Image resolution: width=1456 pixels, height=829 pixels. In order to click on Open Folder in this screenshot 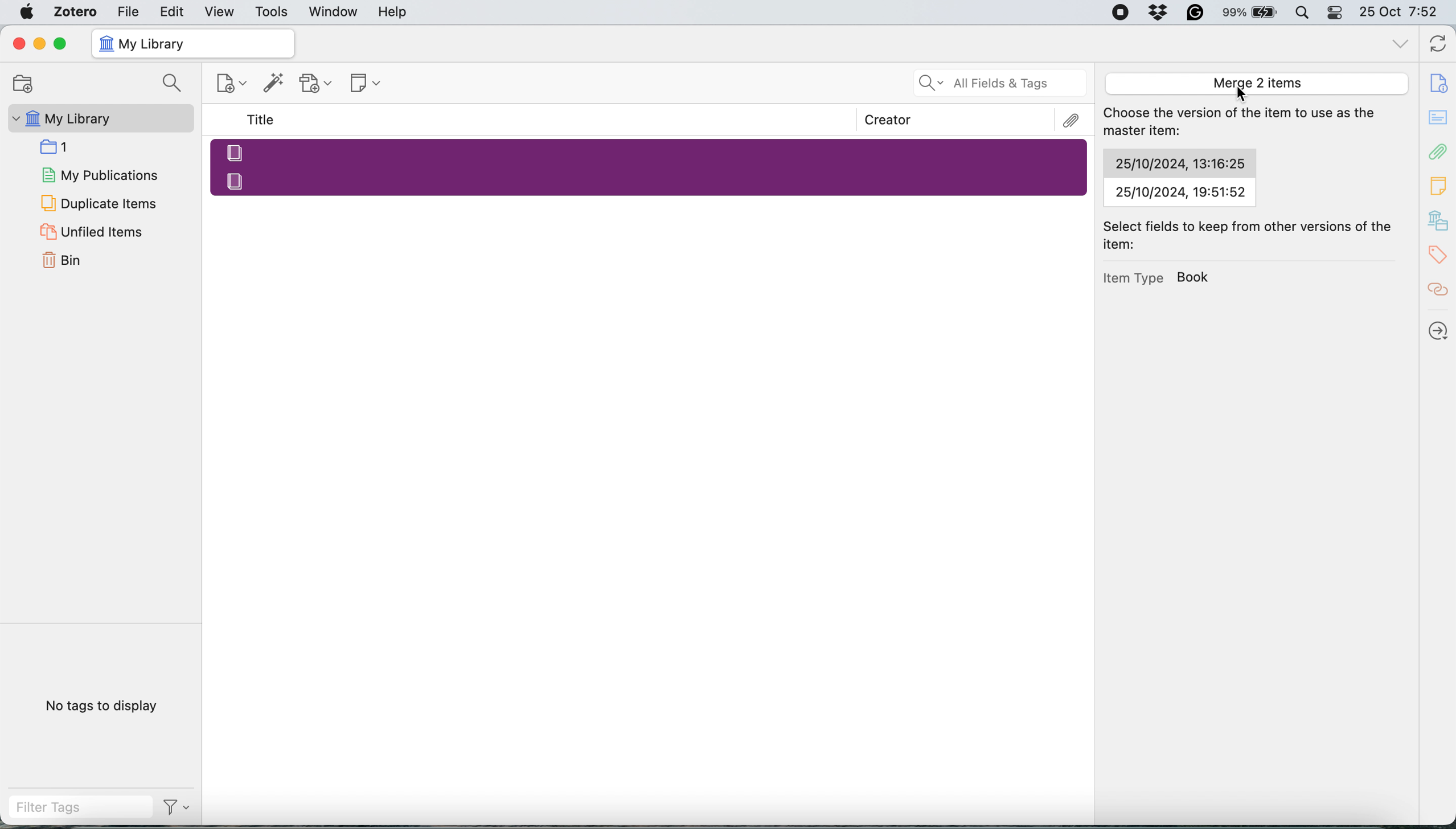, I will do `click(21, 83)`.